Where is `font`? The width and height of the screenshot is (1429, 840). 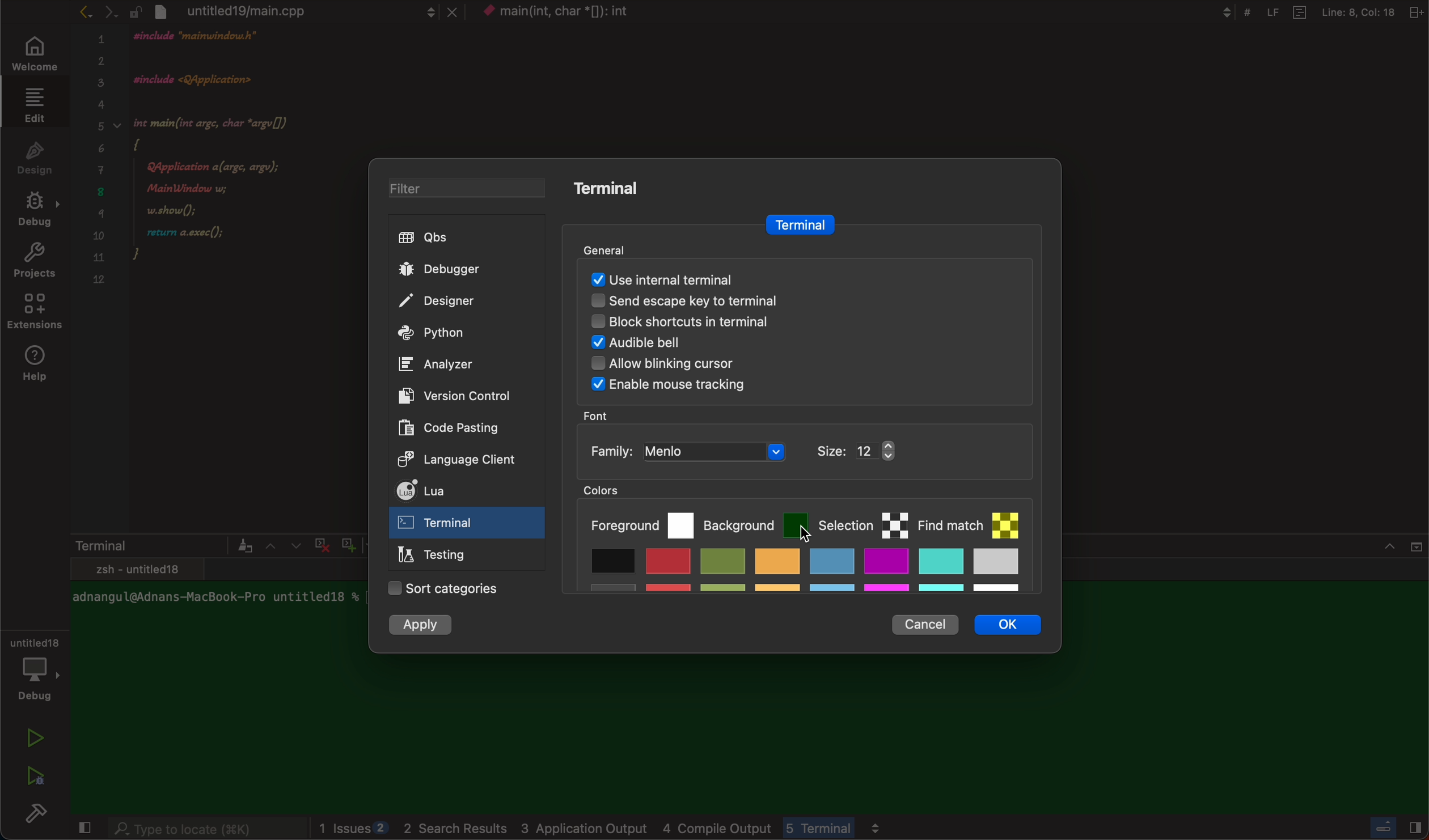 font is located at coordinates (599, 415).